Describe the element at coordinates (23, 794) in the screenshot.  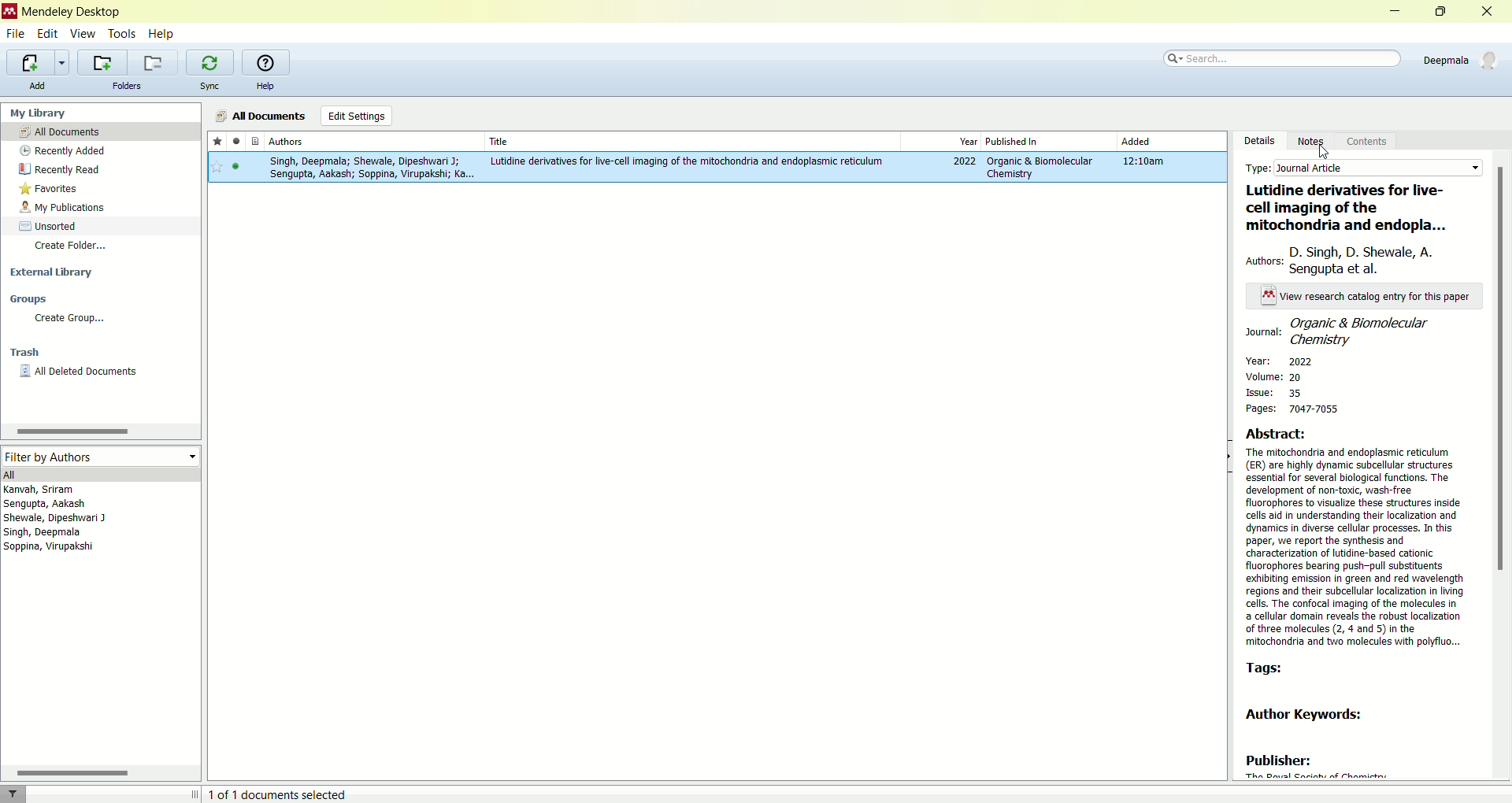
I see `filter documents by authors, tags or publication` at that location.